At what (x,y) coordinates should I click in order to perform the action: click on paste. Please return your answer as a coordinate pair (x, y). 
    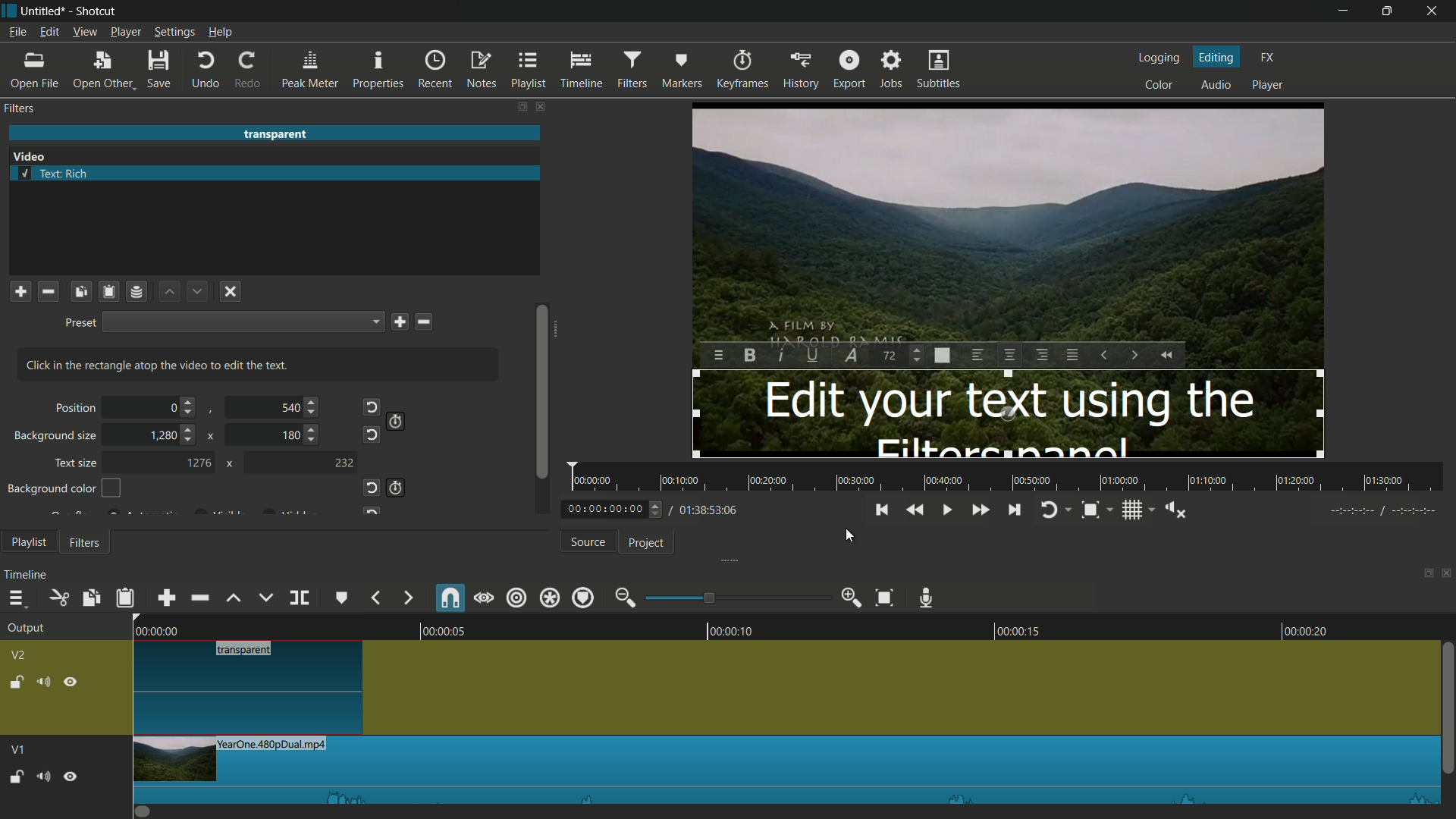
    Looking at the image, I should click on (124, 597).